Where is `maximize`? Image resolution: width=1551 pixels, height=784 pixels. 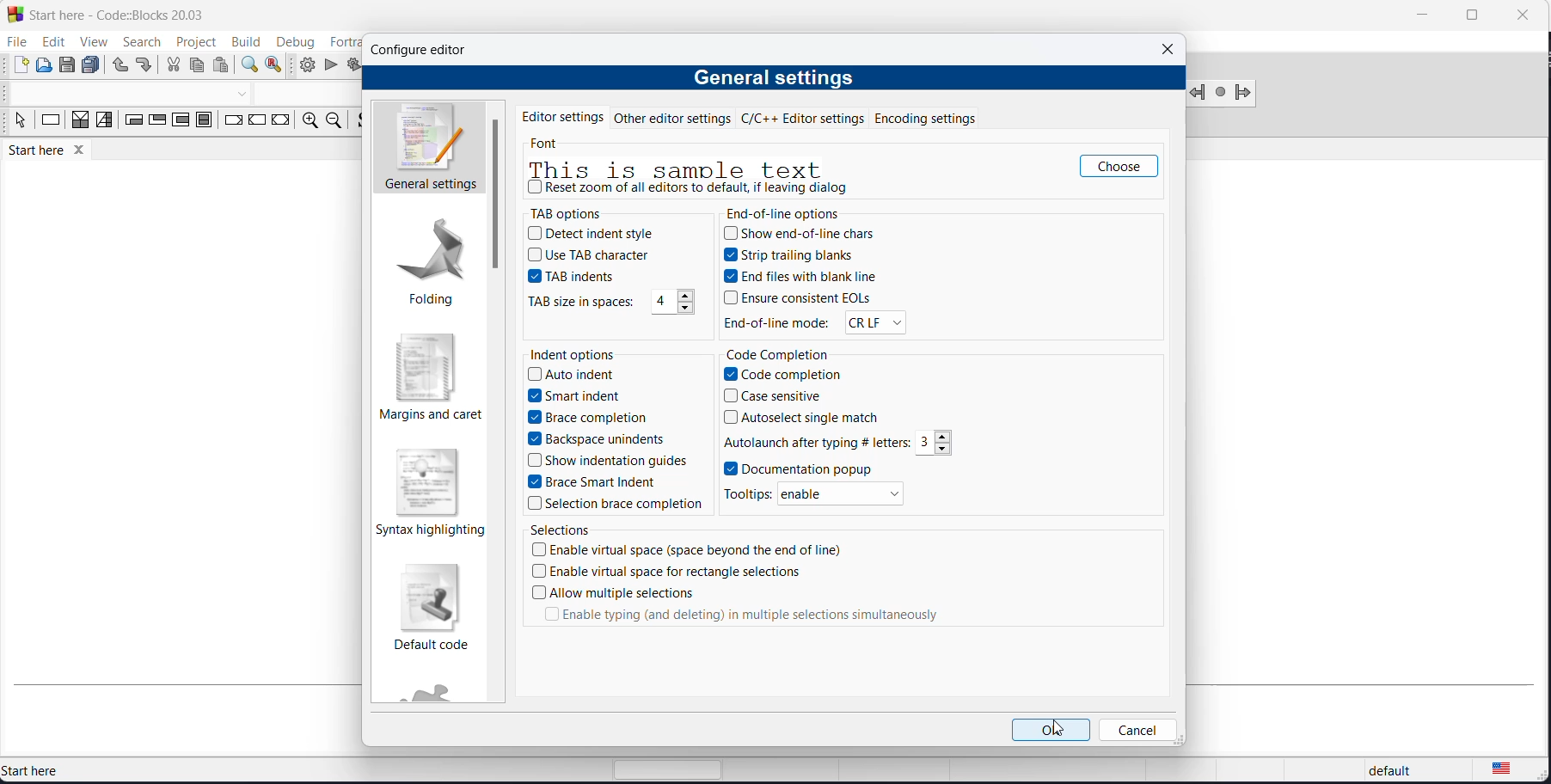 maximize is located at coordinates (1470, 15).